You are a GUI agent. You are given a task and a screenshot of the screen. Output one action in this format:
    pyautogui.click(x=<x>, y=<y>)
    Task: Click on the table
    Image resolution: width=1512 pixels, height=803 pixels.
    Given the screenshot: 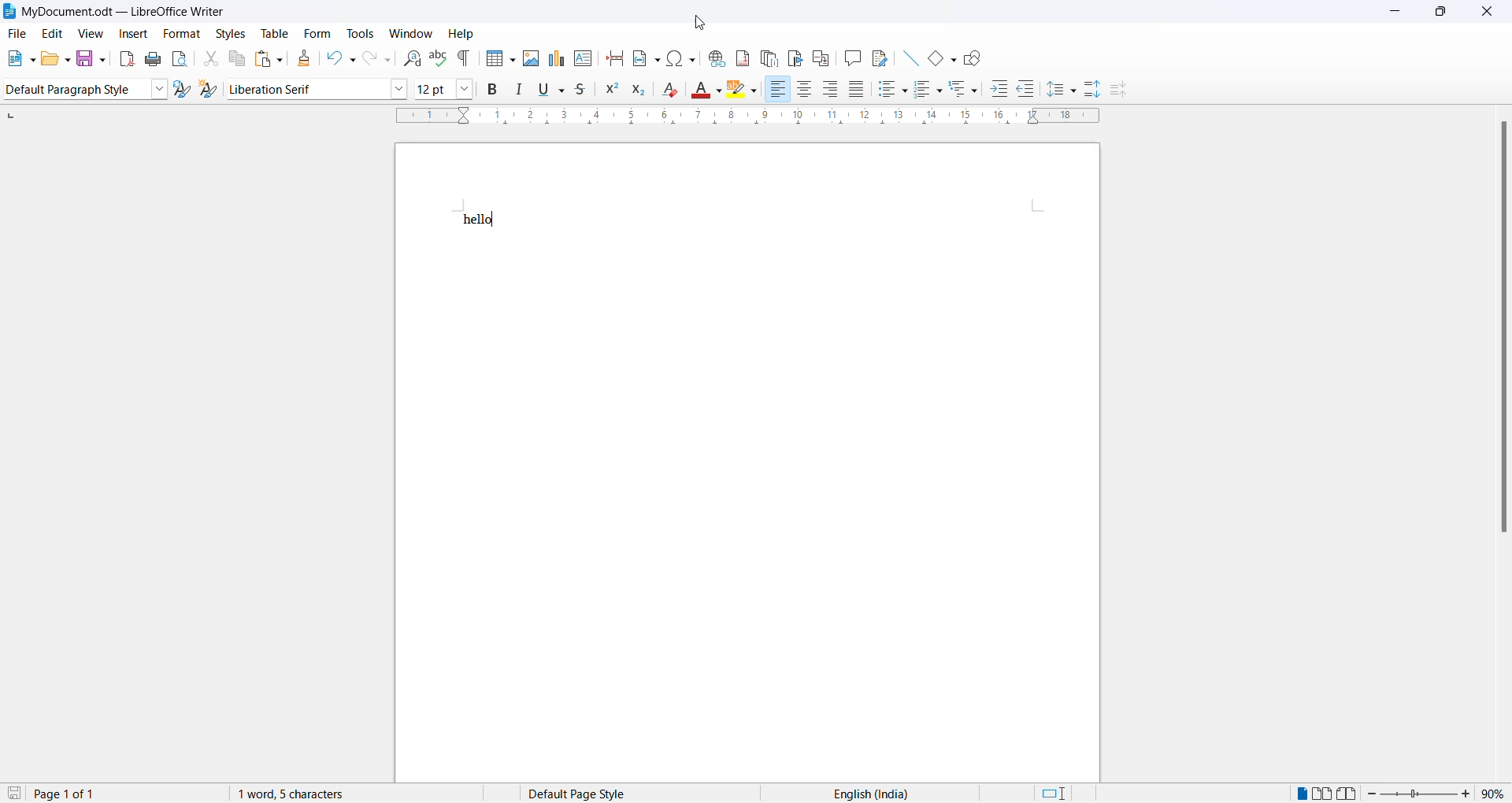 What is the action you would take?
    pyautogui.click(x=272, y=33)
    